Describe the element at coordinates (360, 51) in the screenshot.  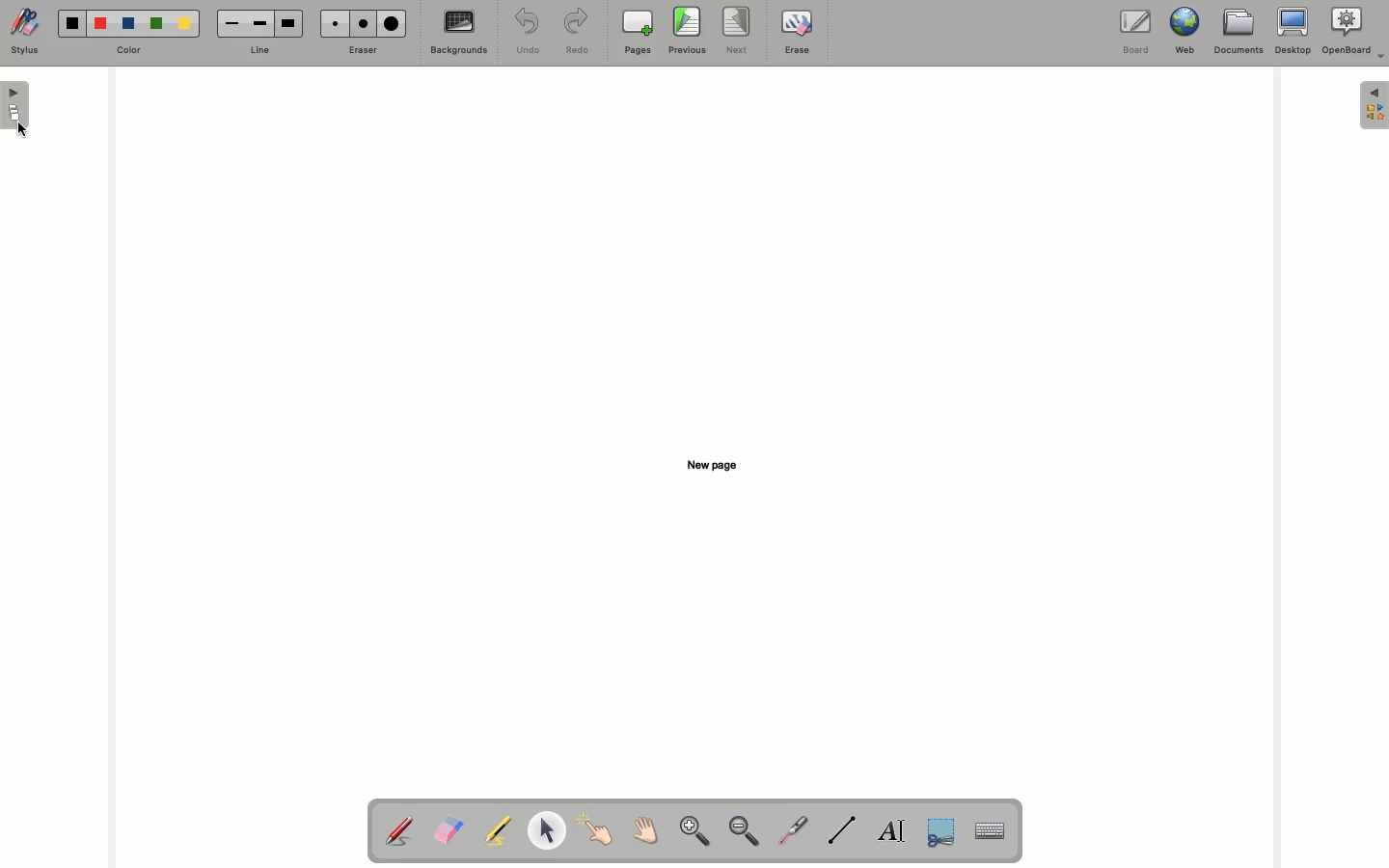
I see `Eraser` at that location.